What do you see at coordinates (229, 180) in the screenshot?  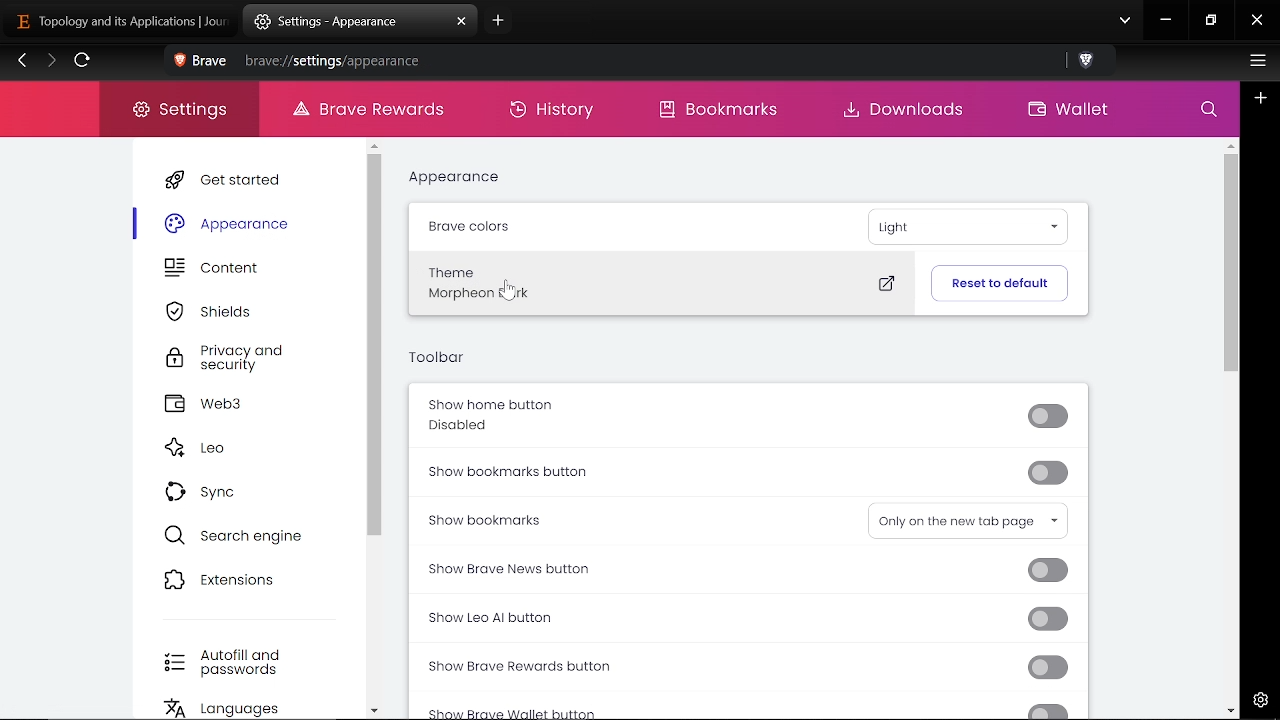 I see `Get started` at bounding box center [229, 180].